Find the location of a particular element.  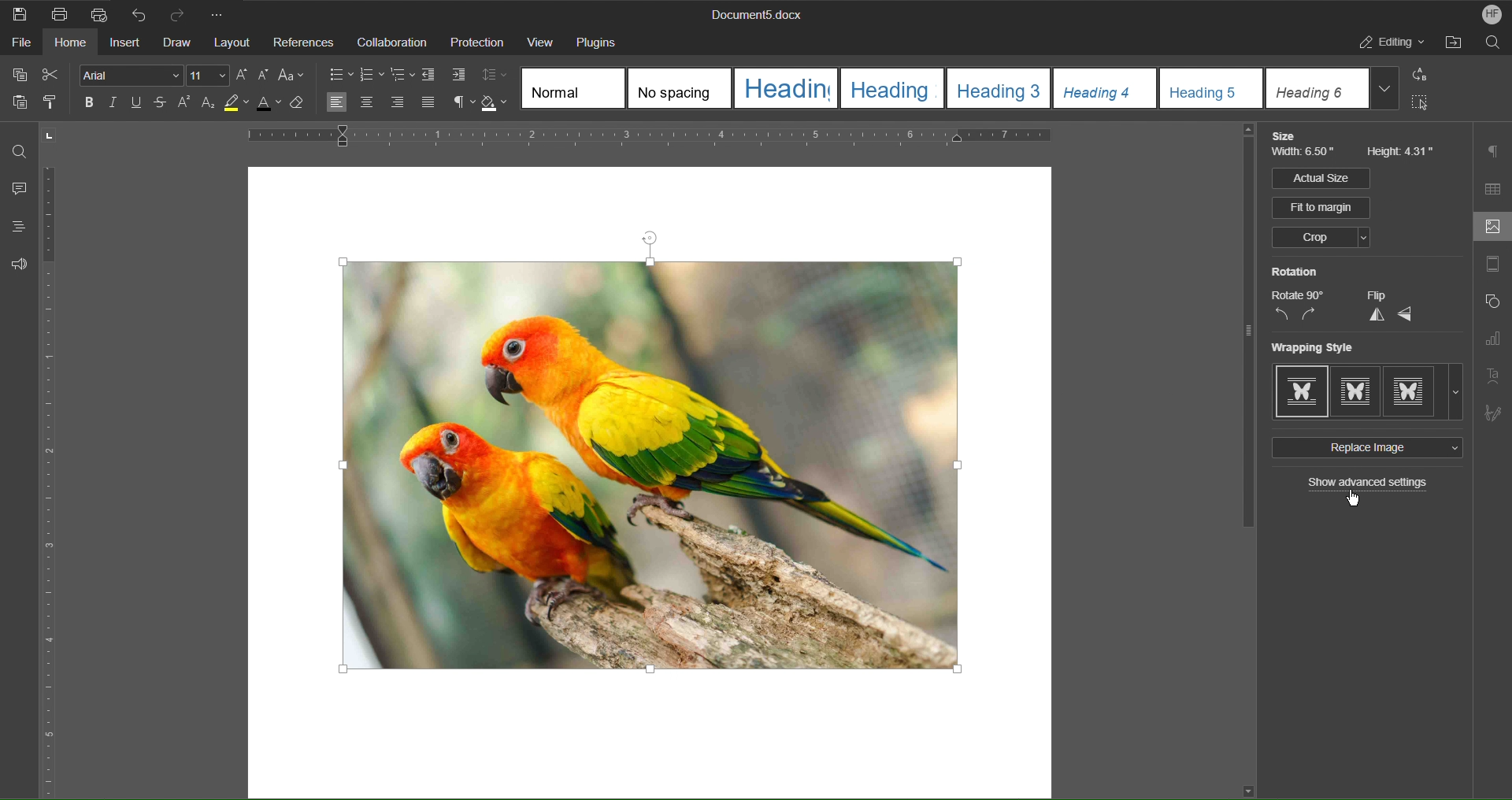

Underline is located at coordinates (140, 104).